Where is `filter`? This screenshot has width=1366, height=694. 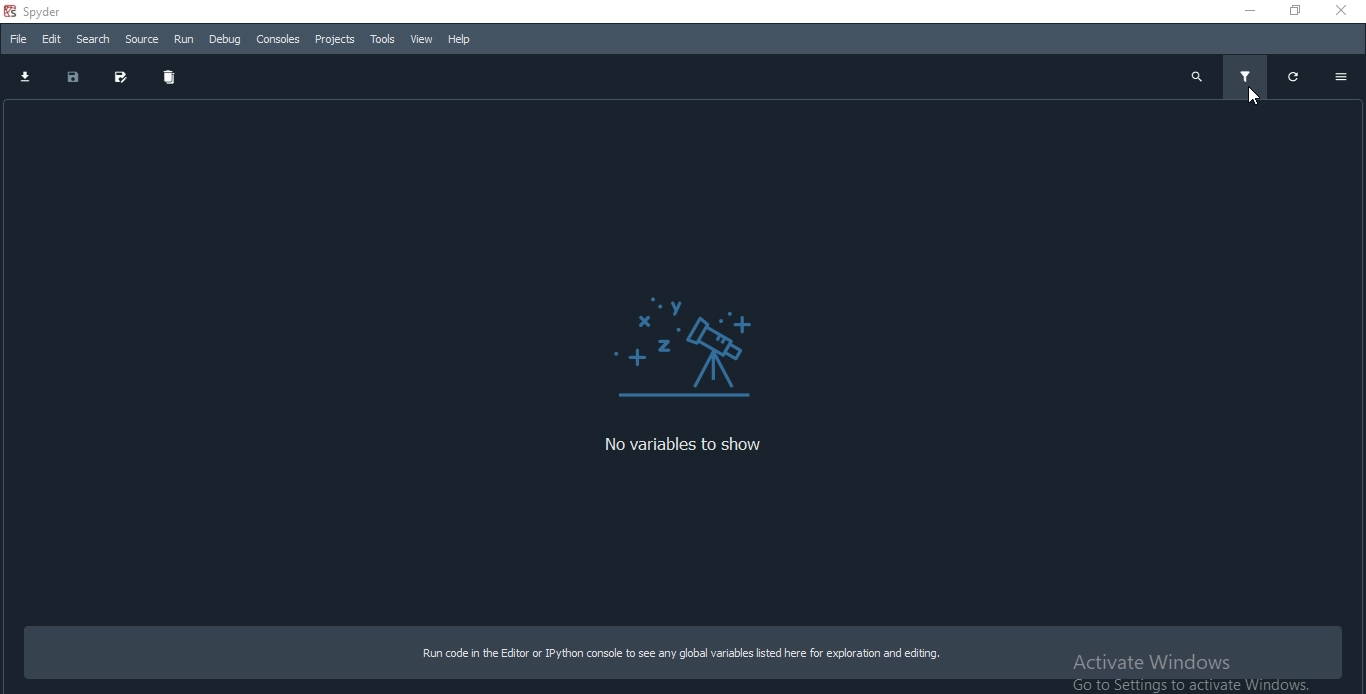
filter is located at coordinates (1244, 76).